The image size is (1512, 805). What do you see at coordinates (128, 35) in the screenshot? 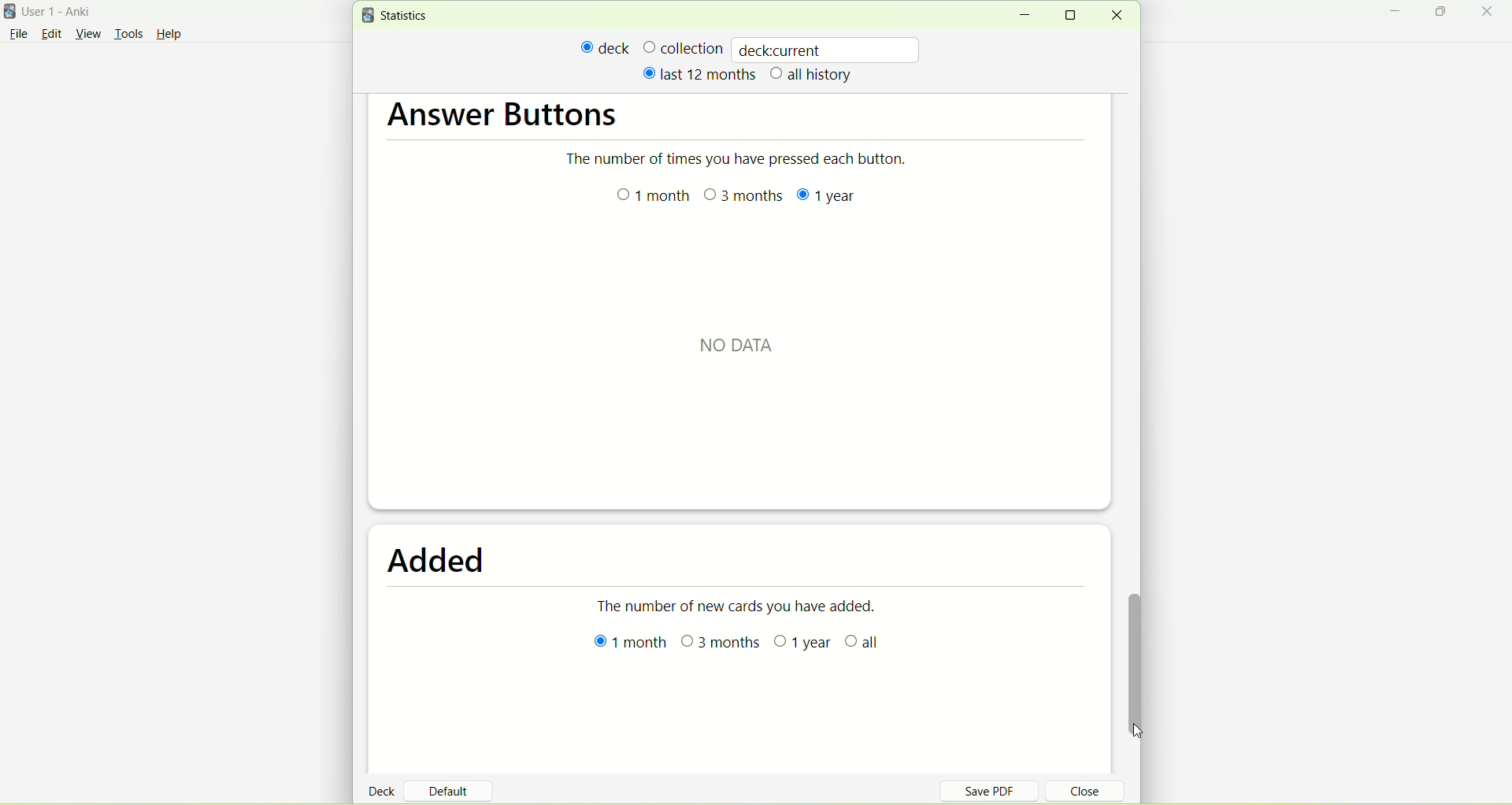
I see `tools` at bounding box center [128, 35].